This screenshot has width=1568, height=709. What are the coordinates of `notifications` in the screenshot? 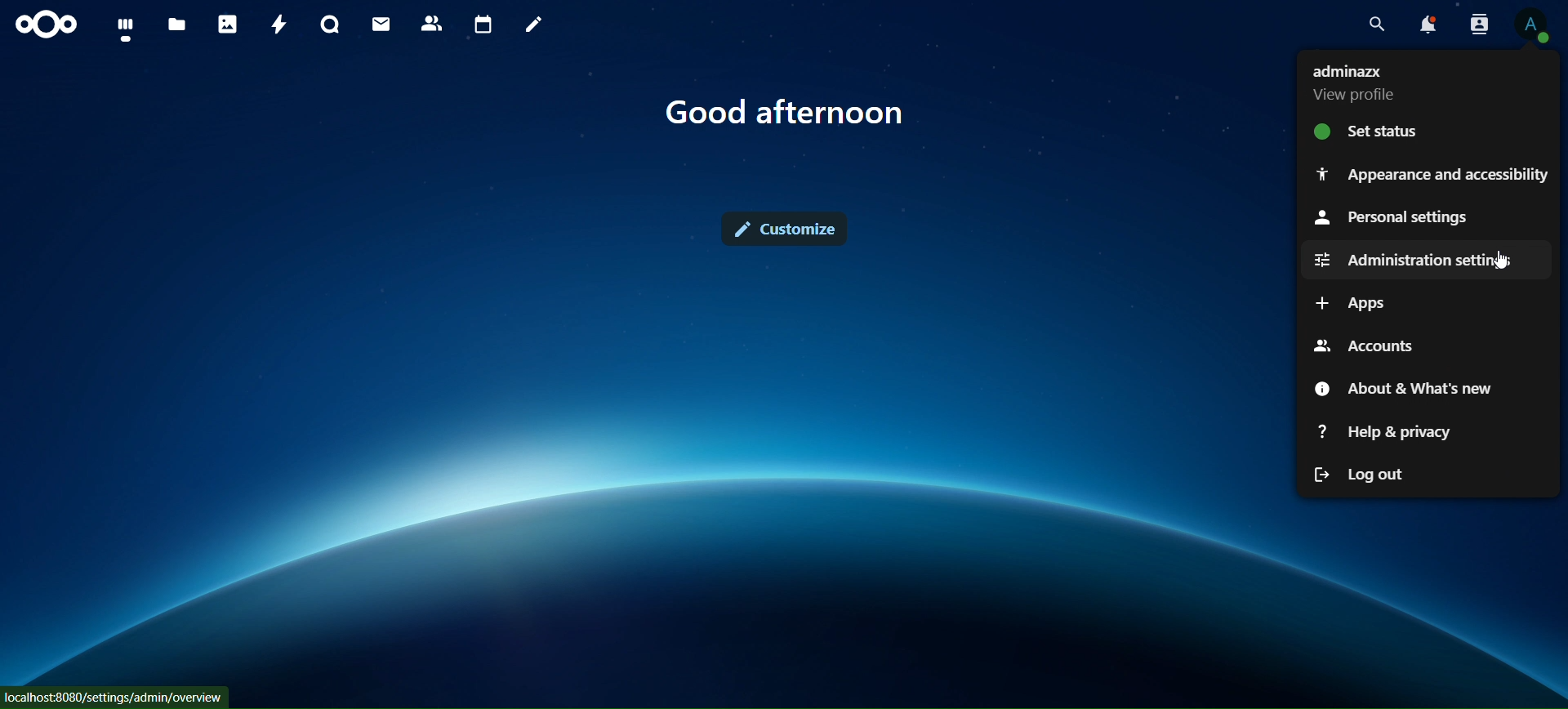 It's located at (1425, 24).